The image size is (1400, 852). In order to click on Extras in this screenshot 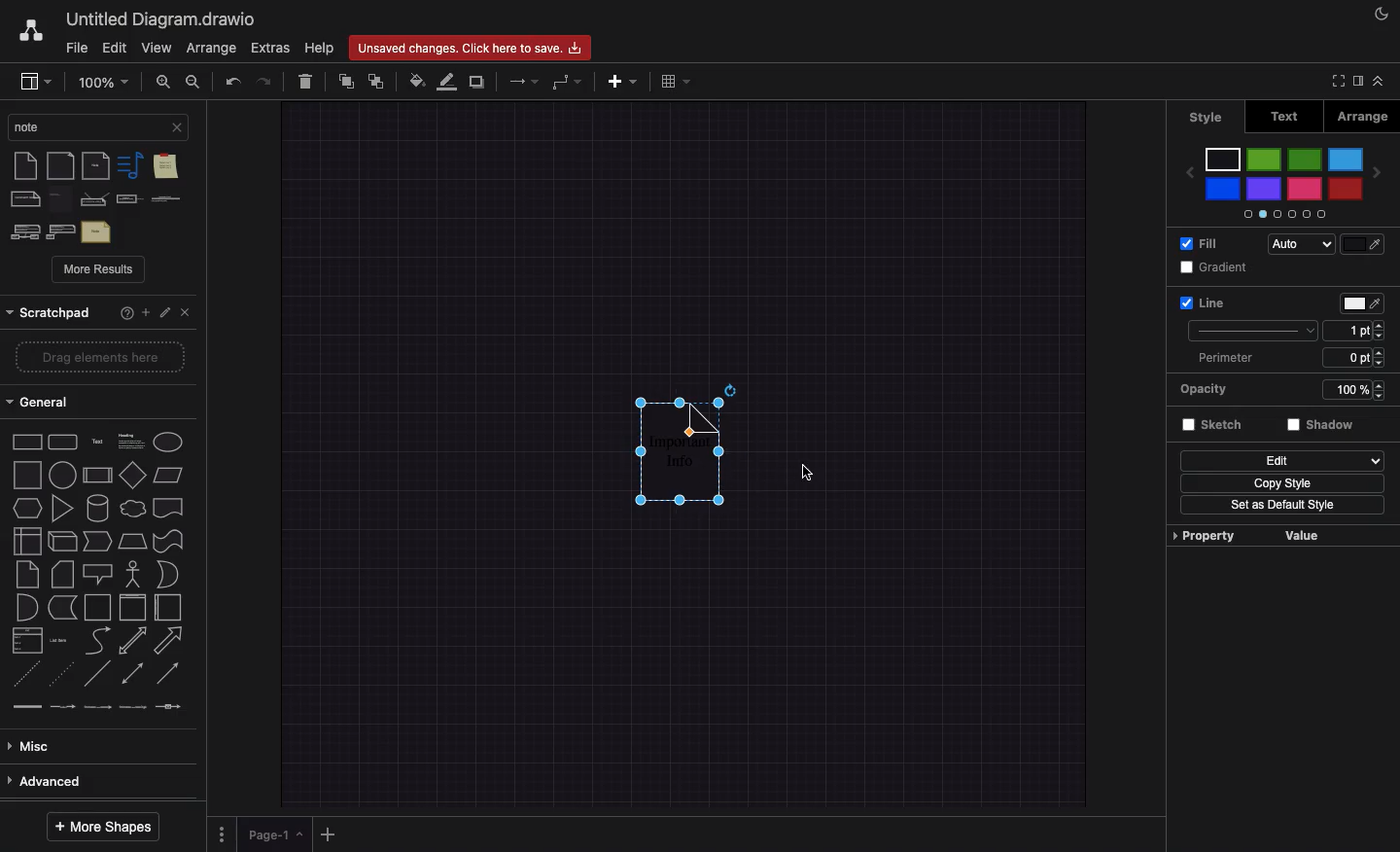, I will do `click(270, 48)`.